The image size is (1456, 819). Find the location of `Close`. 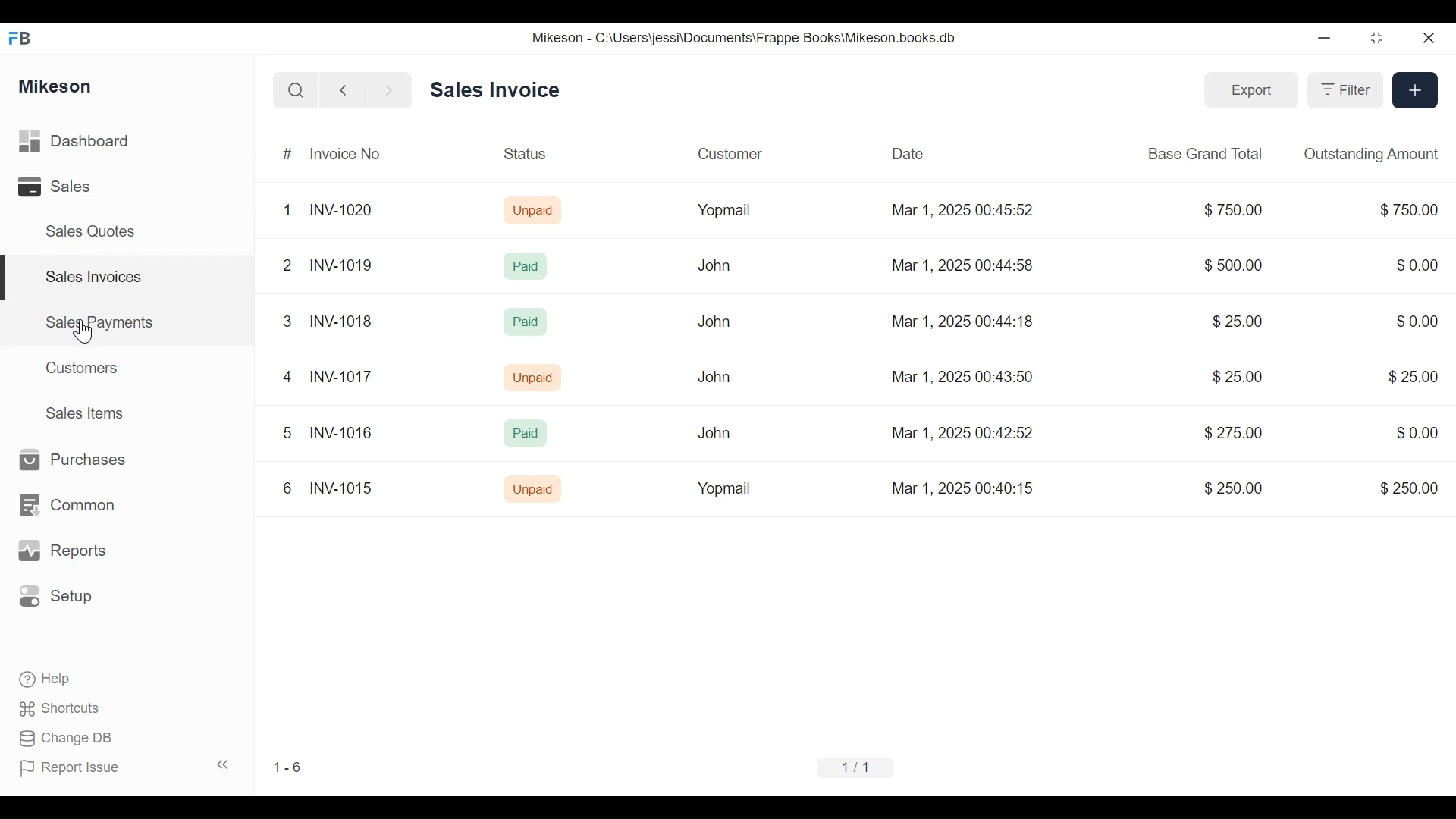

Close is located at coordinates (1426, 36).